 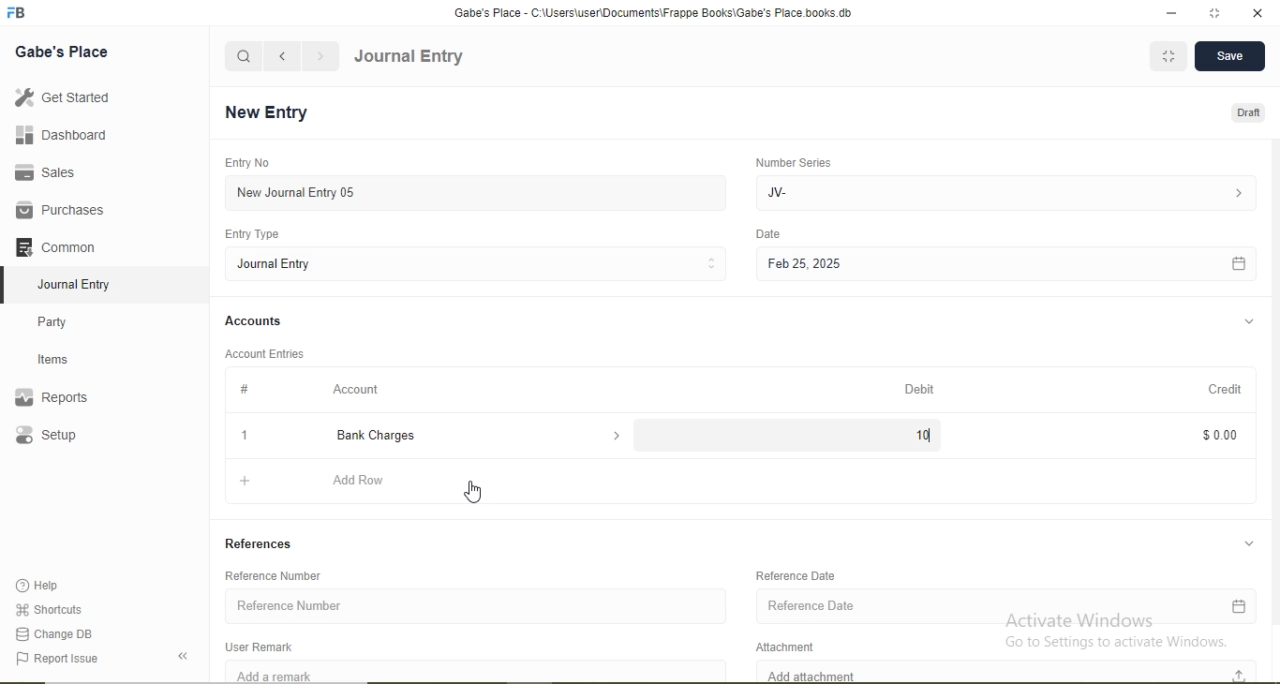 I want to click on resize, so click(x=1212, y=13).